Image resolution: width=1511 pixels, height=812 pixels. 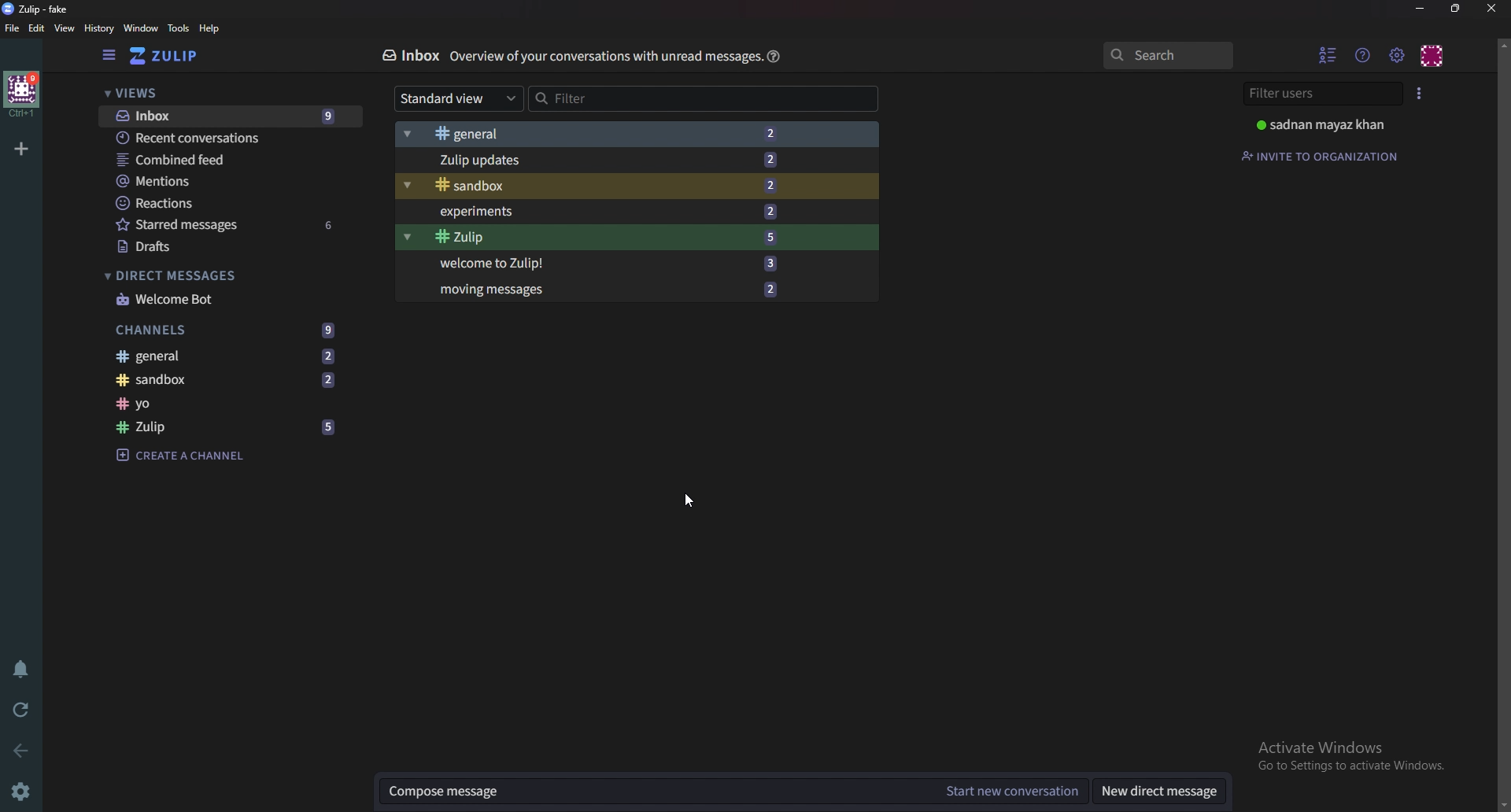 I want to click on Tools, so click(x=179, y=28).